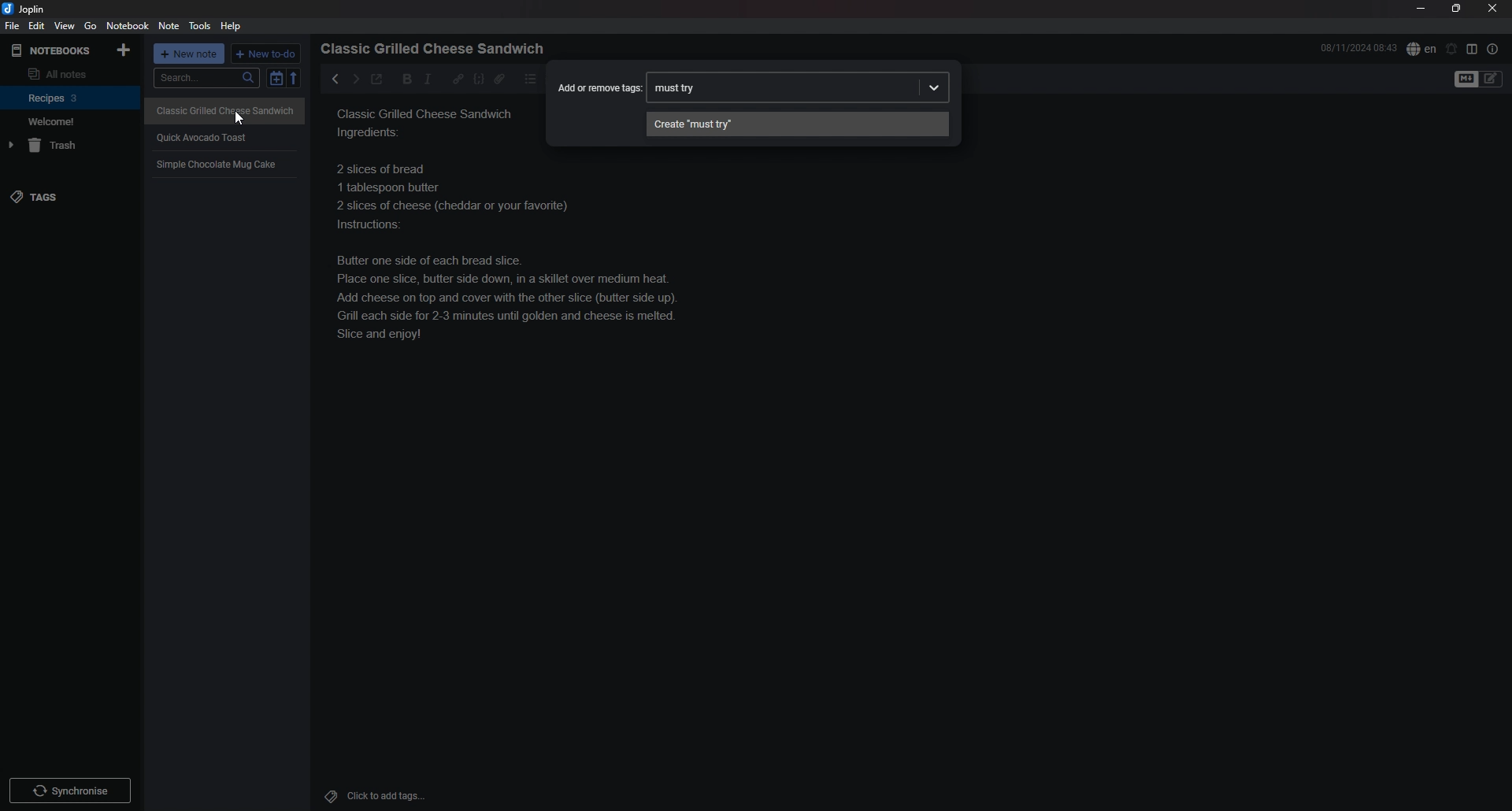  Describe the element at coordinates (125, 49) in the screenshot. I see `add notebook` at that location.